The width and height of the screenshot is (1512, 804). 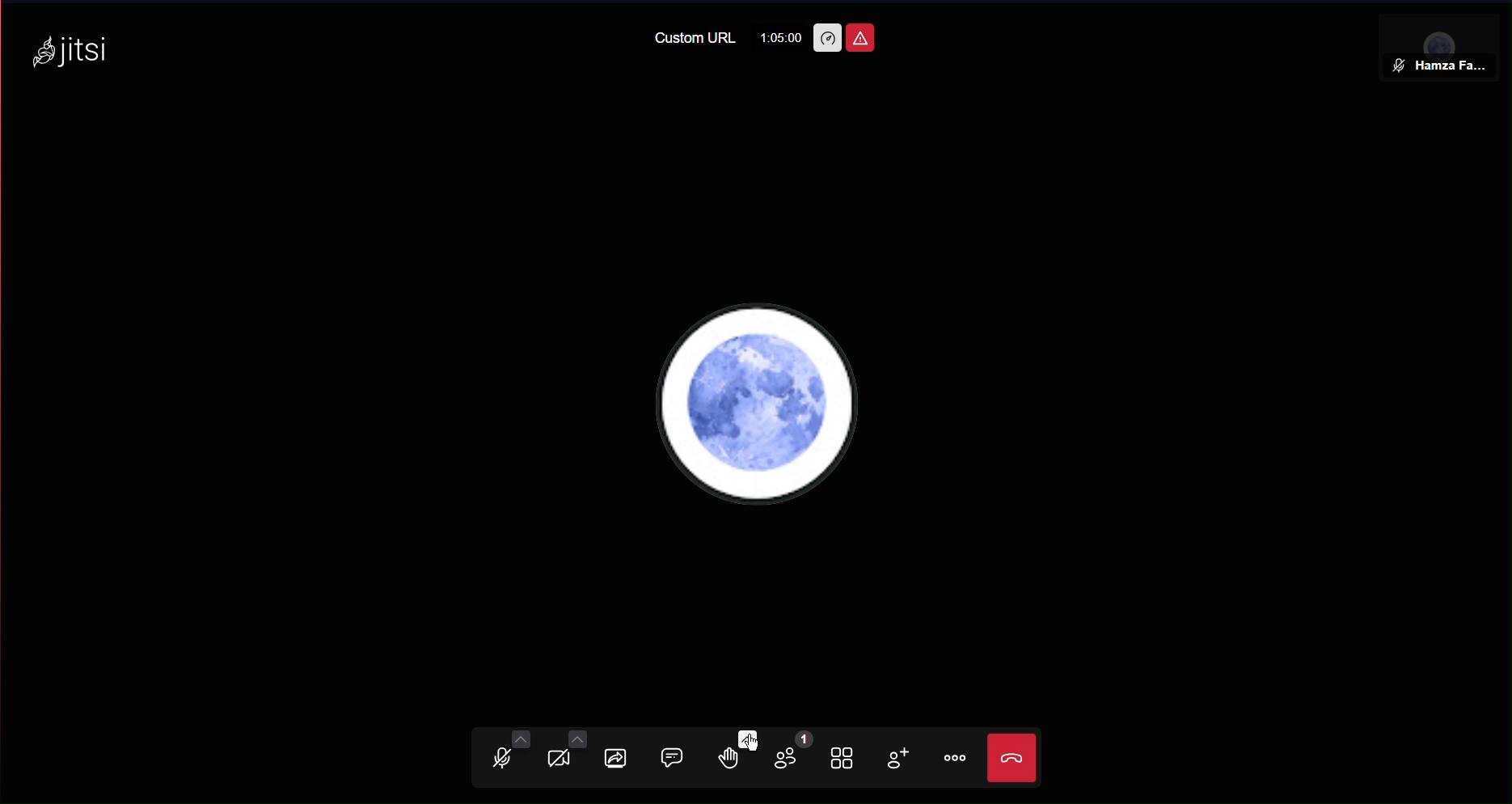 What do you see at coordinates (847, 760) in the screenshot?
I see `Tile View` at bounding box center [847, 760].